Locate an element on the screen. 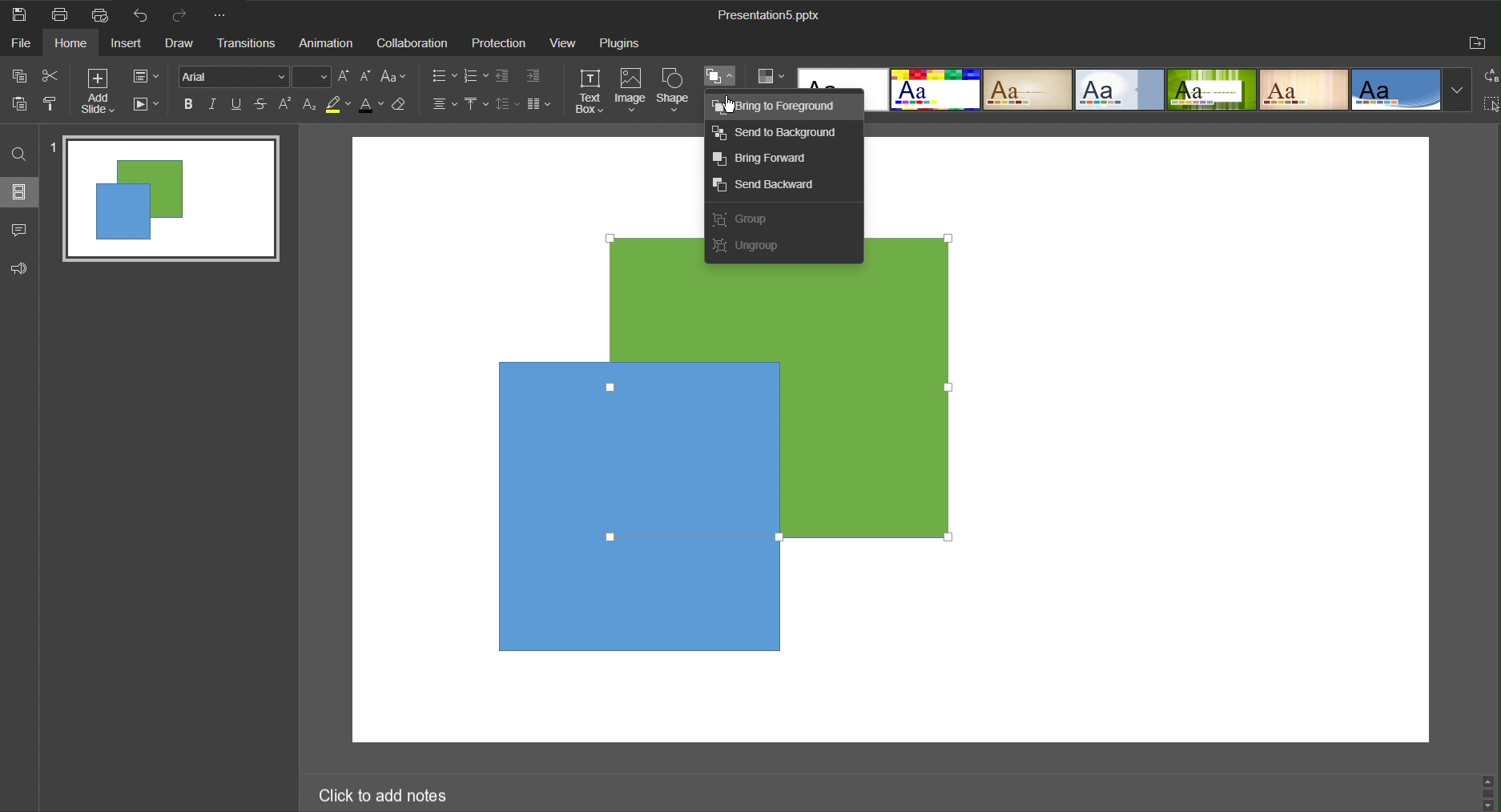 This screenshot has height=812, width=1501. Templates is located at coordinates (1169, 89).